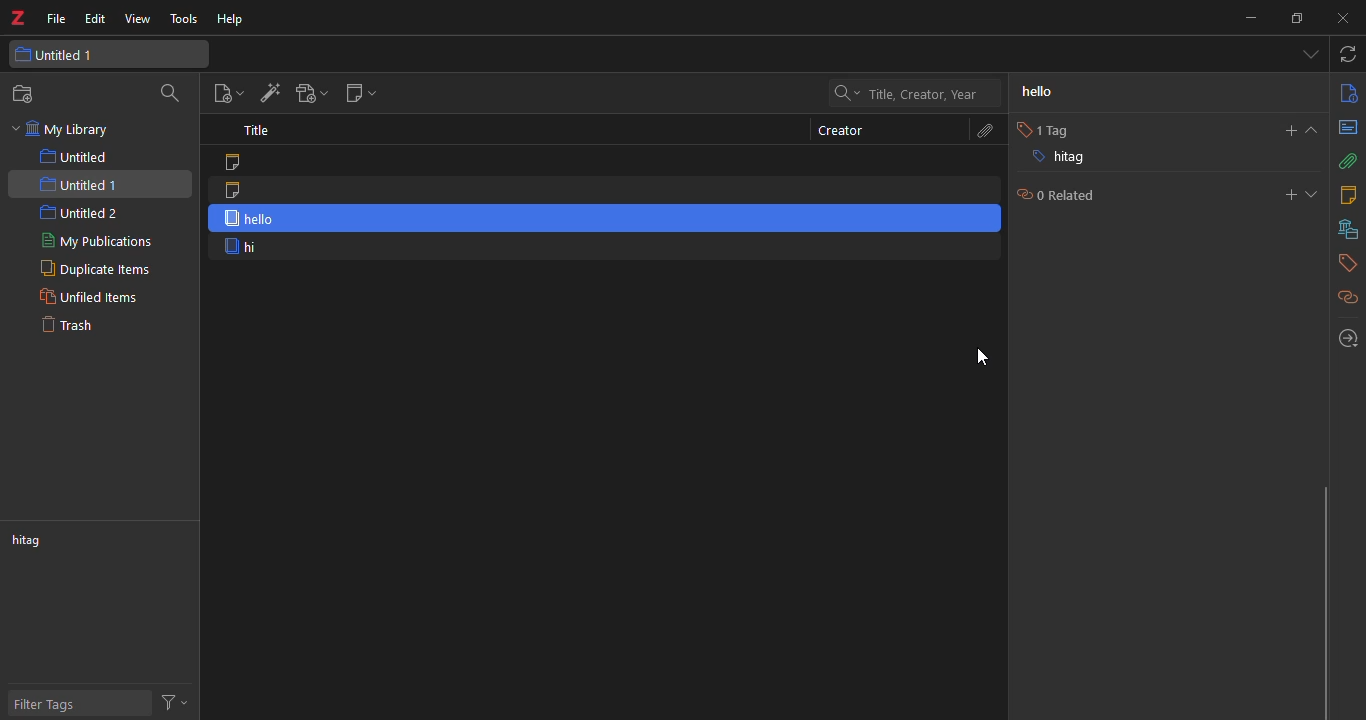 This screenshot has height=720, width=1366. What do you see at coordinates (1290, 128) in the screenshot?
I see `add` at bounding box center [1290, 128].